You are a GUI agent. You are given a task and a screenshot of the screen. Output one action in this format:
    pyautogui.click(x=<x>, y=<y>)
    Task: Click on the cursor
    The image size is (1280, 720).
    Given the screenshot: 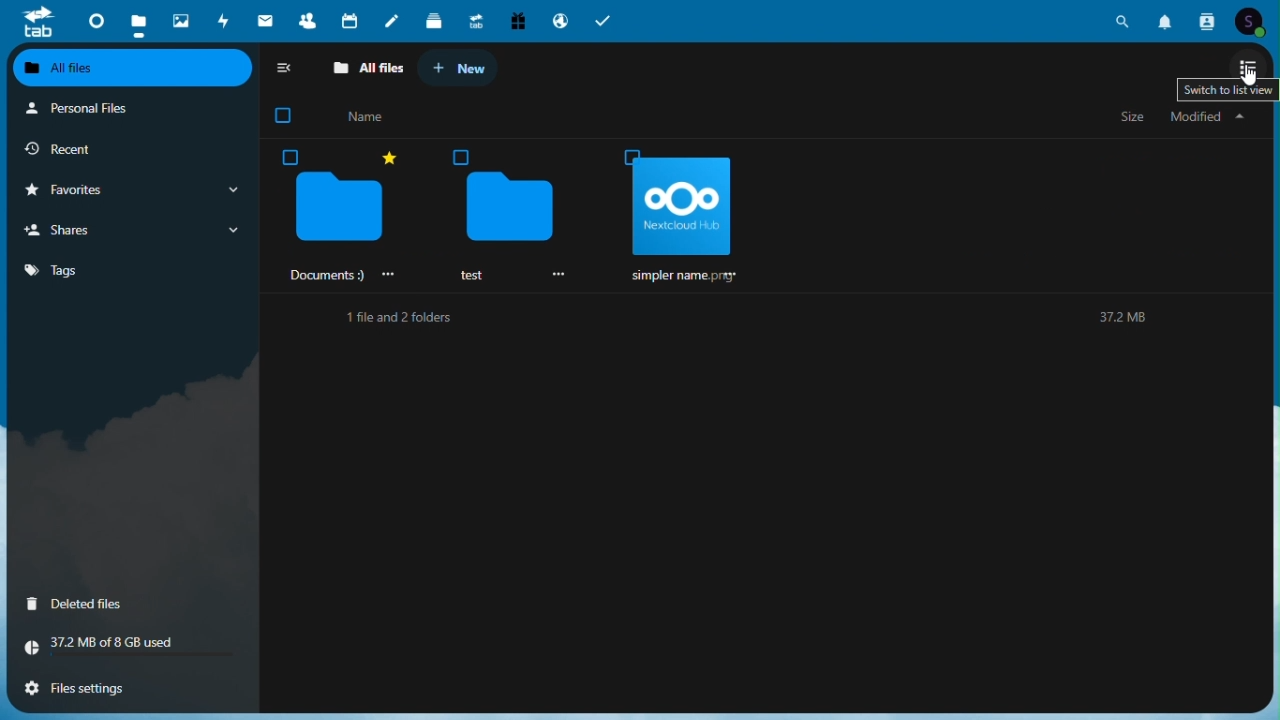 What is the action you would take?
    pyautogui.click(x=1251, y=75)
    